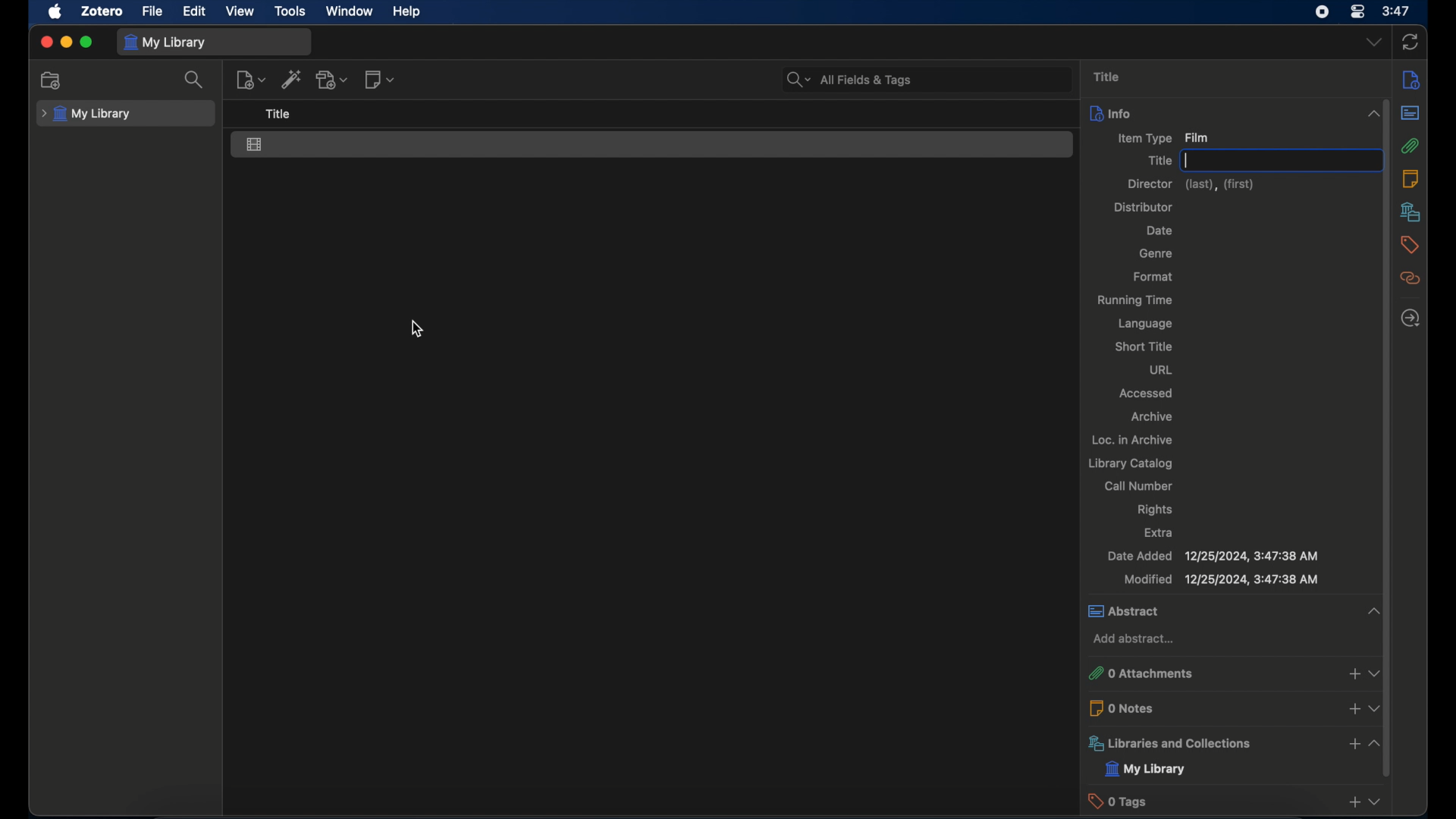  I want to click on apple, so click(55, 12).